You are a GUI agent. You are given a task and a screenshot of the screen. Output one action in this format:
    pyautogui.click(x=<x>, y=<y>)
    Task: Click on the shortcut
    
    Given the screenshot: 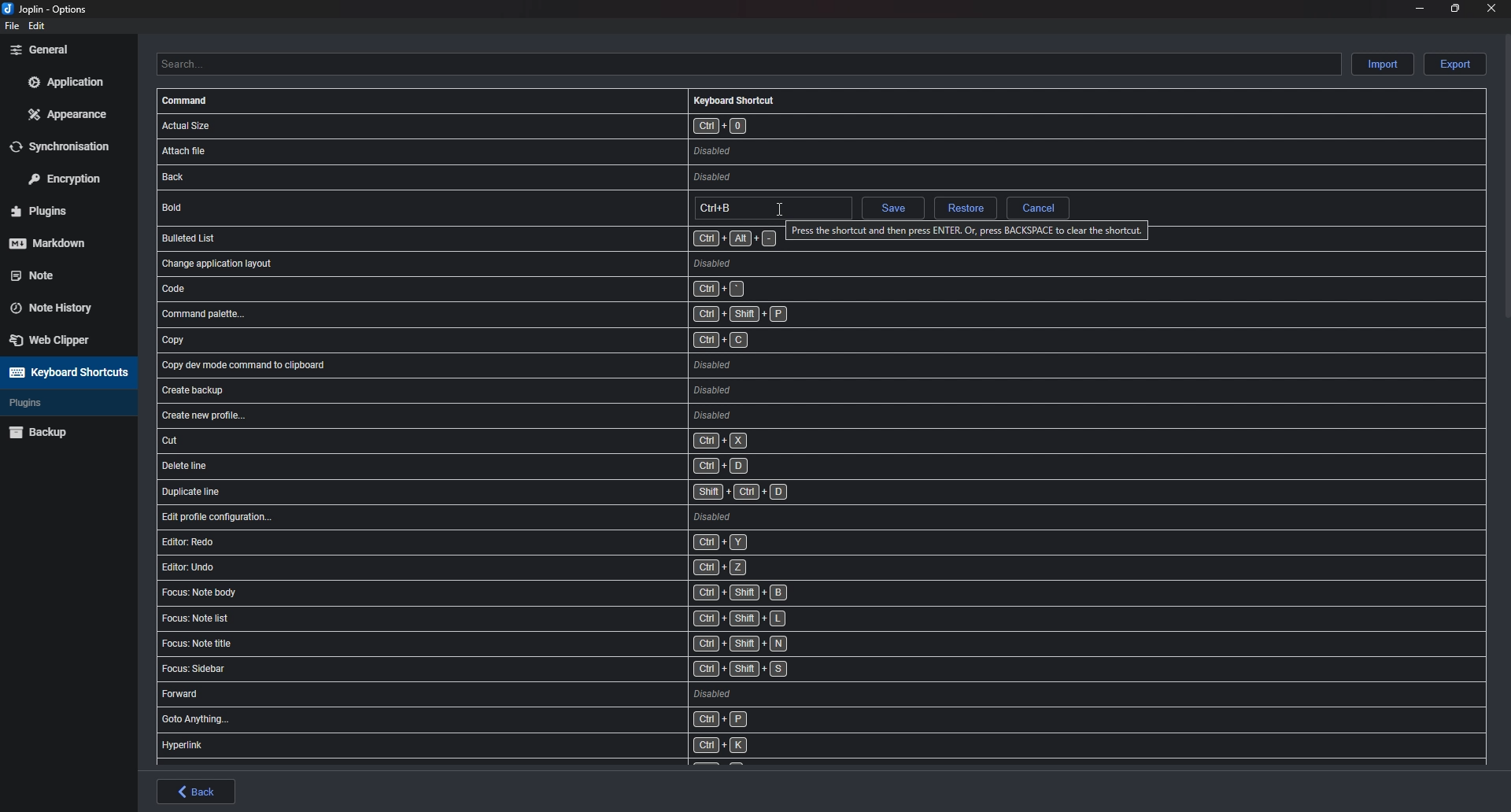 What is the action you would take?
    pyautogui.click(x=530, y=288)
    